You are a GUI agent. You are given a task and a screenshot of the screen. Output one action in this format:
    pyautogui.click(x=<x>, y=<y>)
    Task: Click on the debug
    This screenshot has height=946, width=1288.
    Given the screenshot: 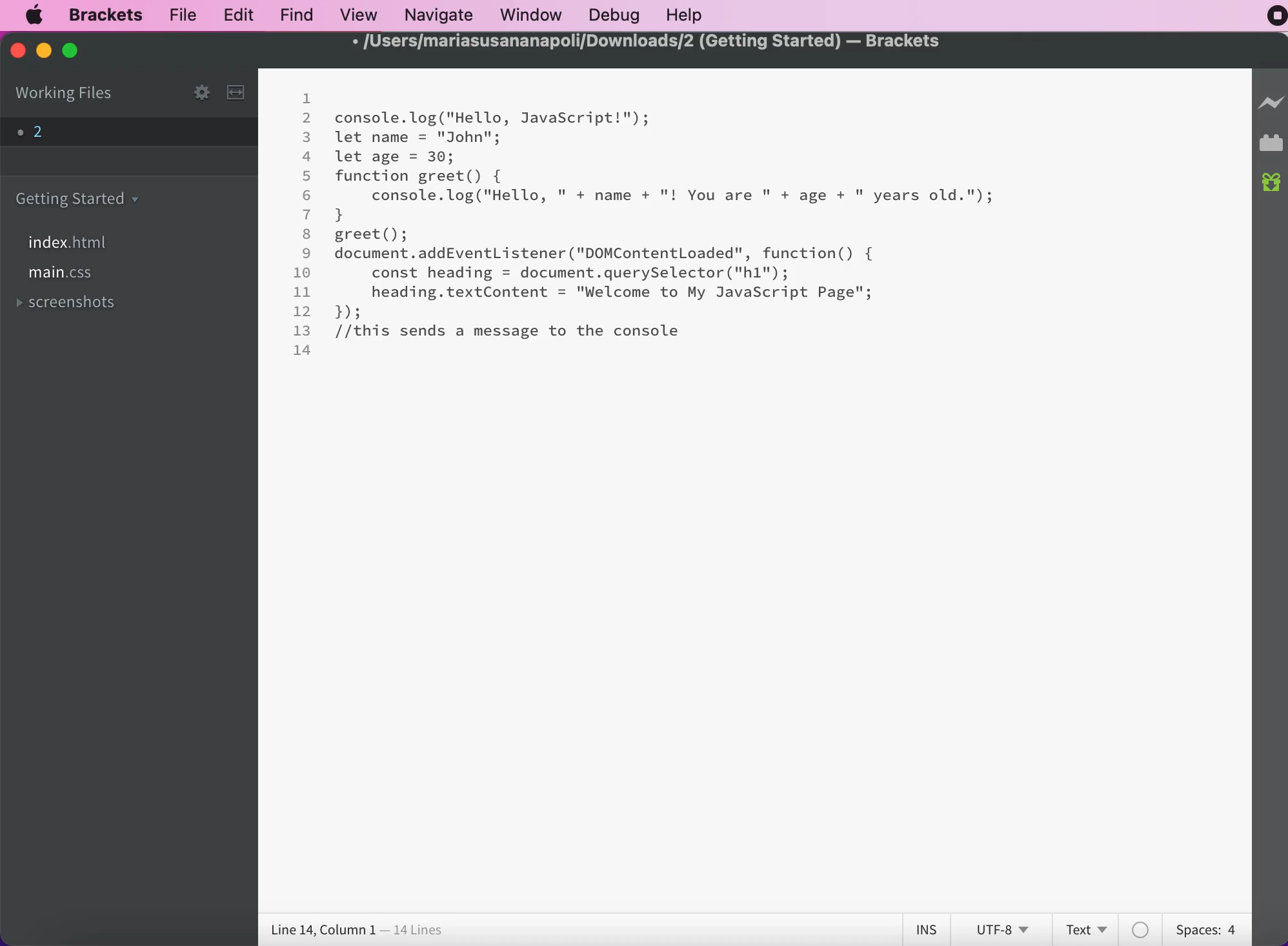 What is the action you would take?
    pyautogui.click(x=612, y=17)
    